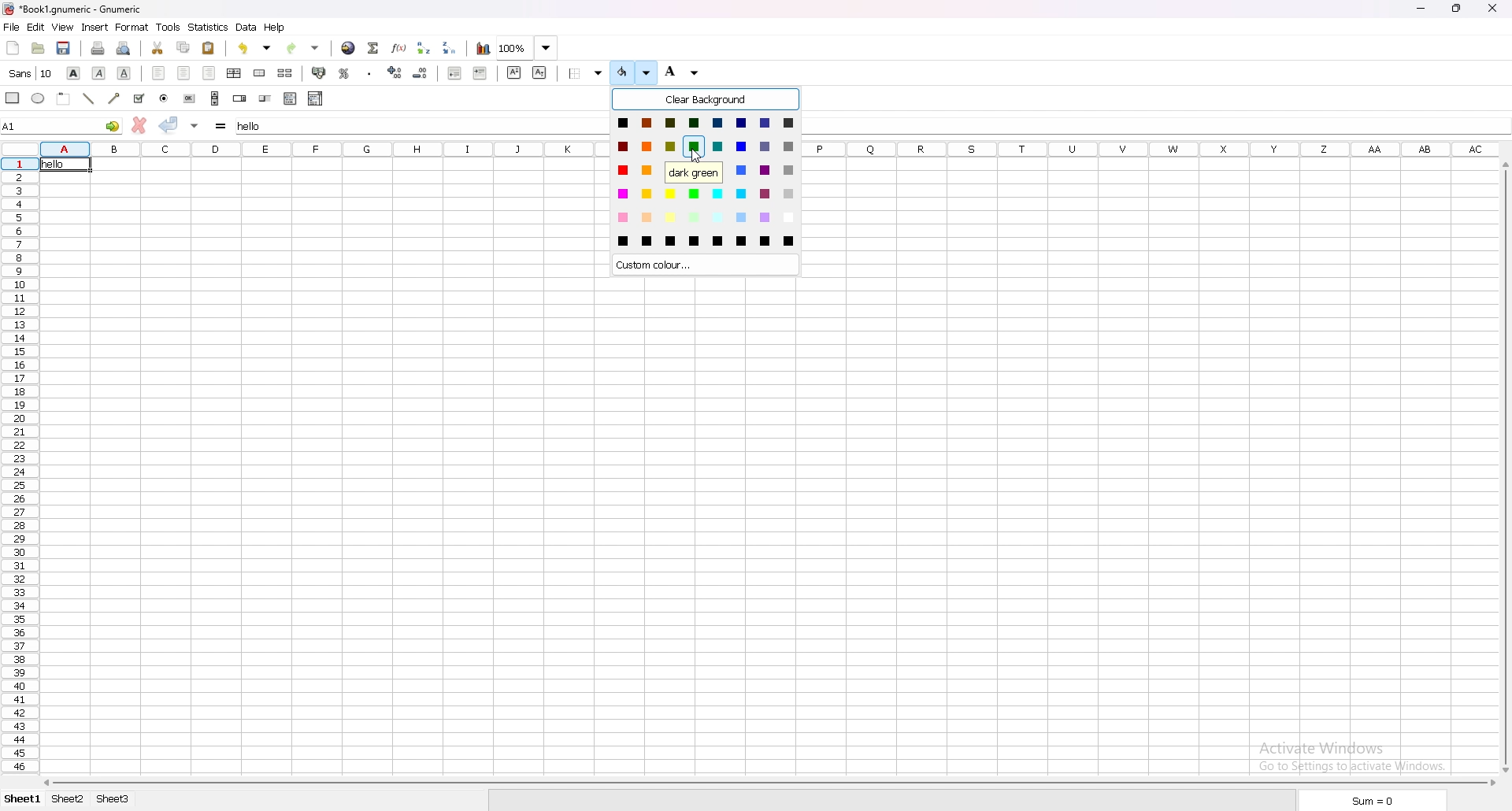 This screenshot has height=811, width=1512. Describe the element at coordinates (141, 124) in the screenshot. I see `cancel change` at that location.